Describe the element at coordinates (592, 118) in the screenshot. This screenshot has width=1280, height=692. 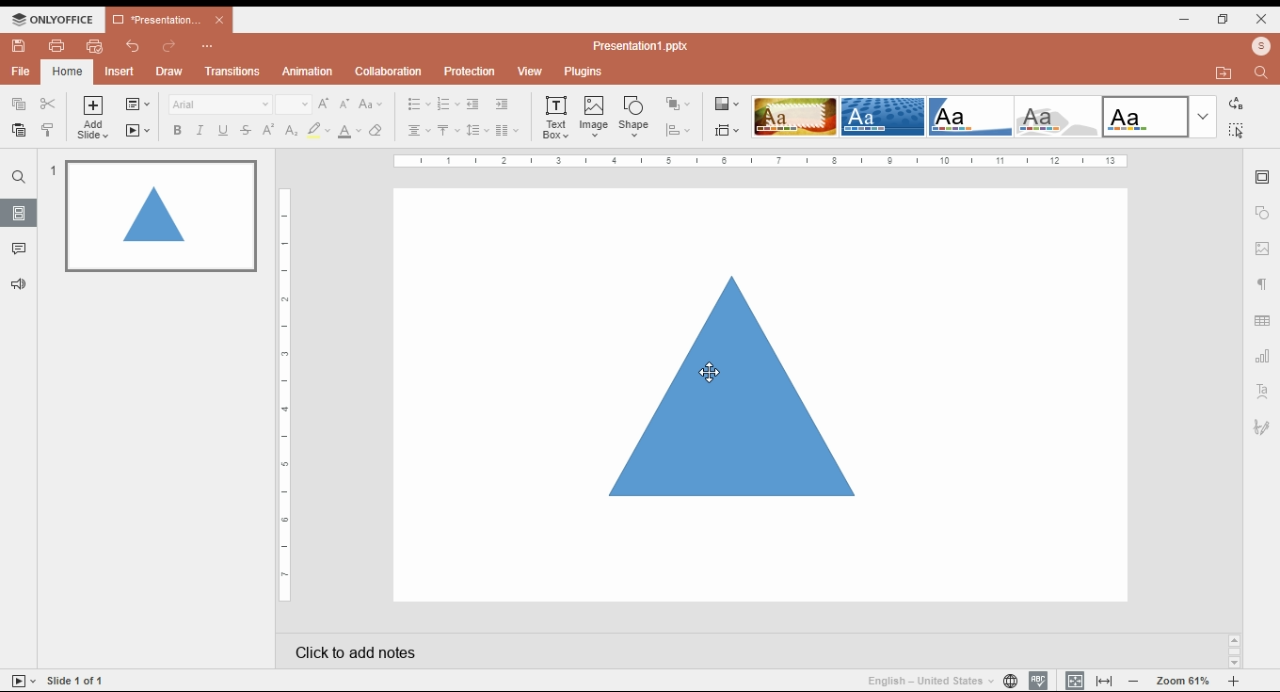
I see `insert image` at that location.